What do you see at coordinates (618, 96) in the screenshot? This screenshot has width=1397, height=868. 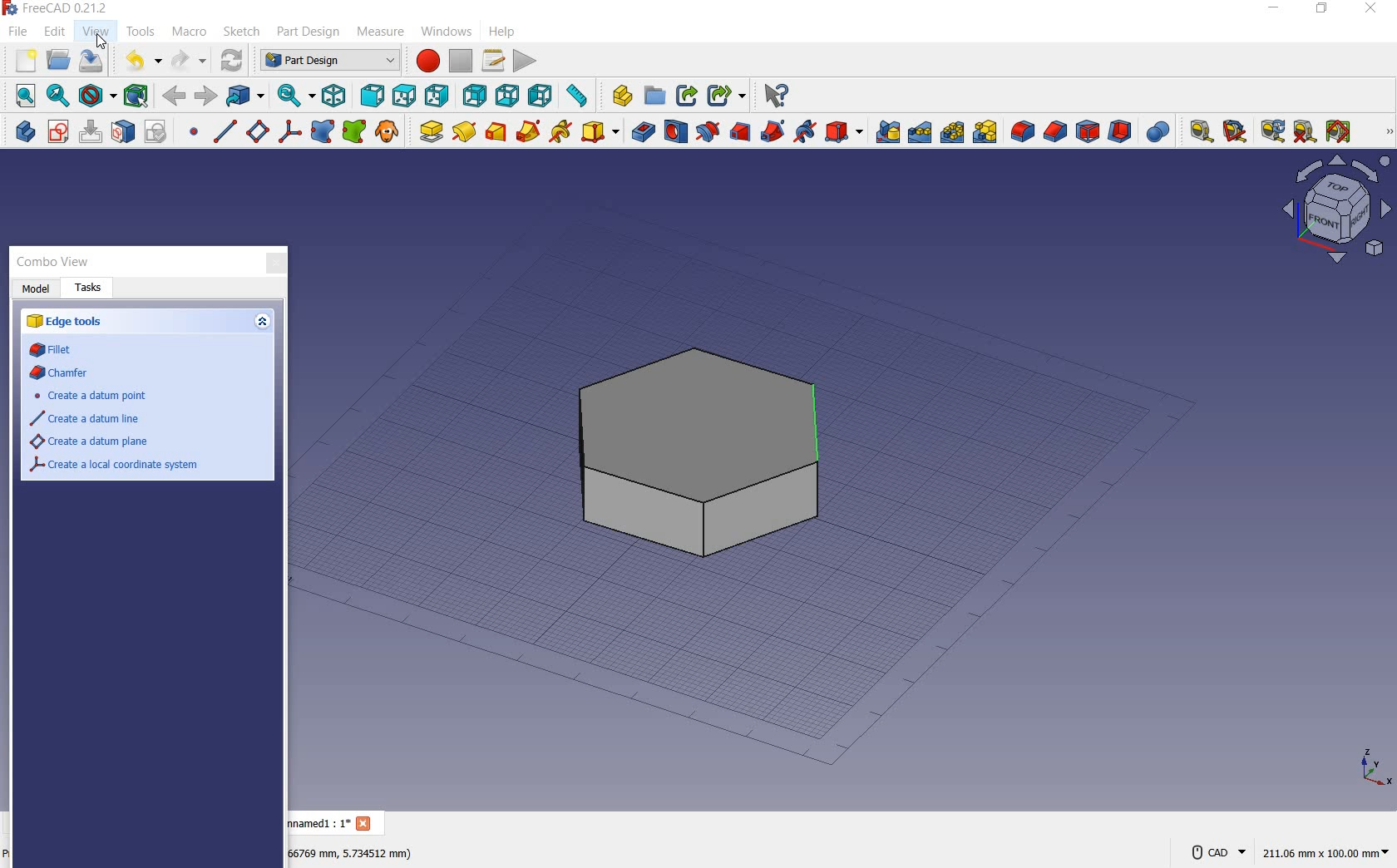 I see `create part` at bounding box center [618, 96].